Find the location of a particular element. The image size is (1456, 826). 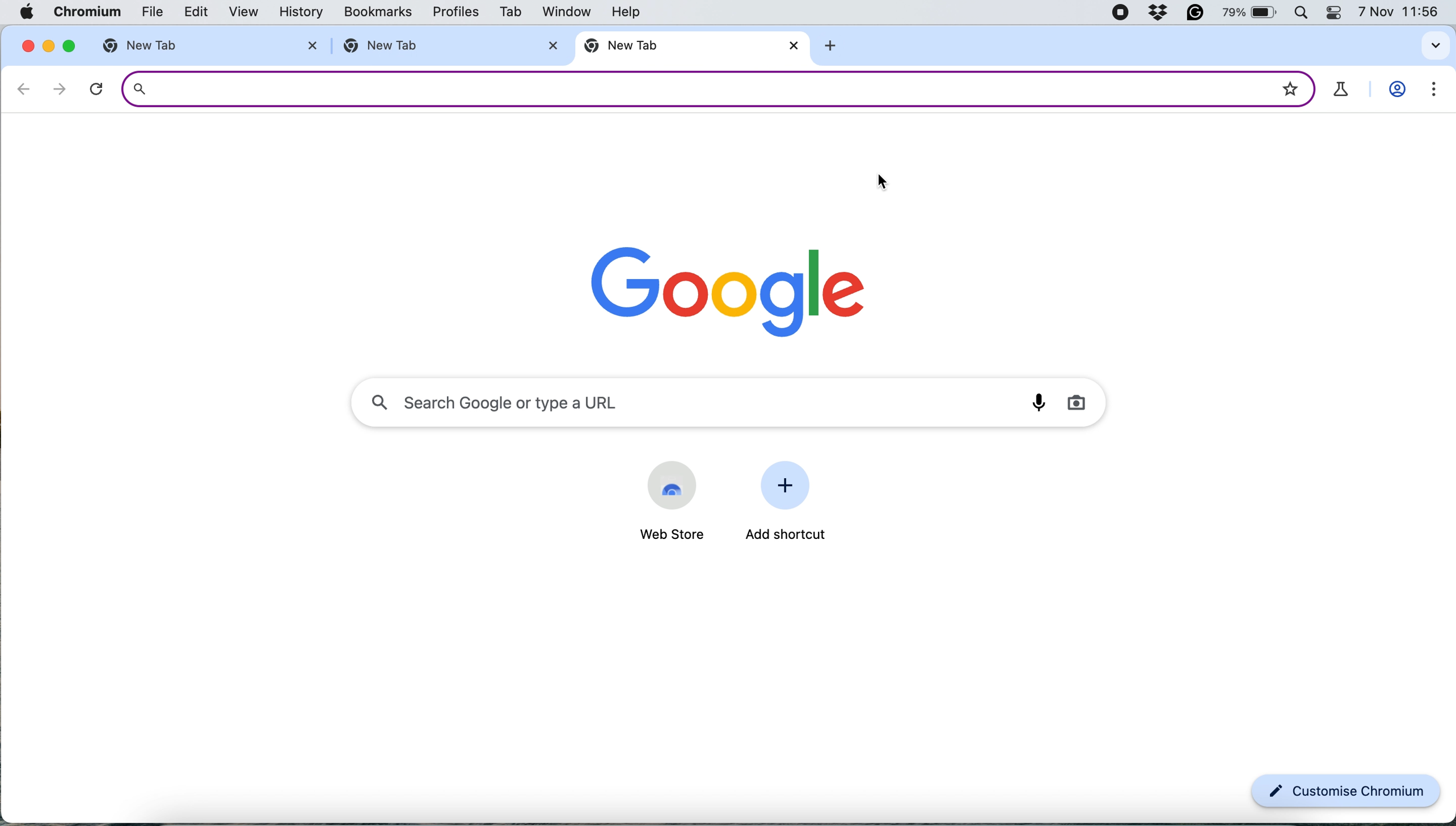

file is located at coordinates (145, 14).